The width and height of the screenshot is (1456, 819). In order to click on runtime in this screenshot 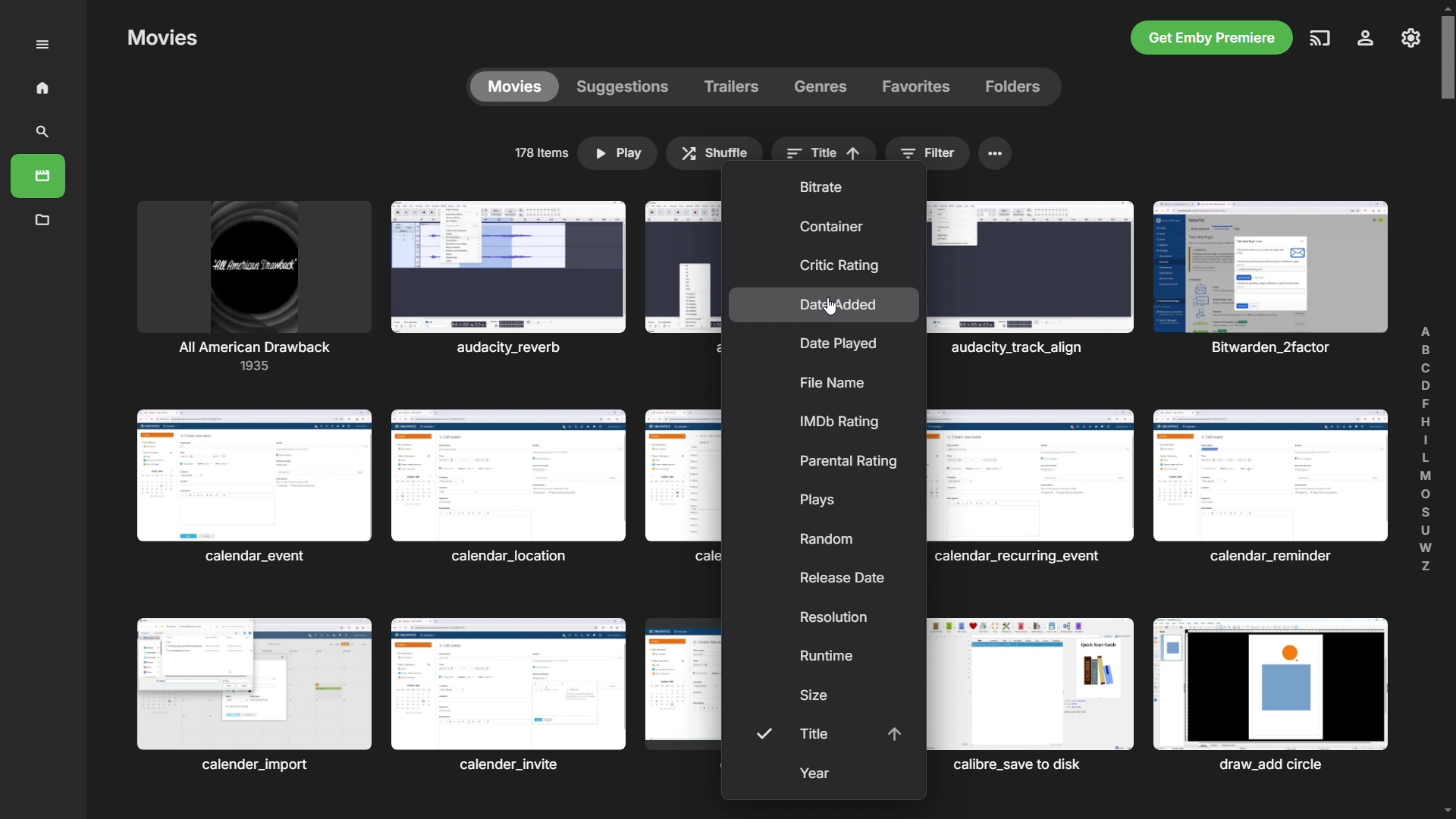, I will do `click(825, 654)`.